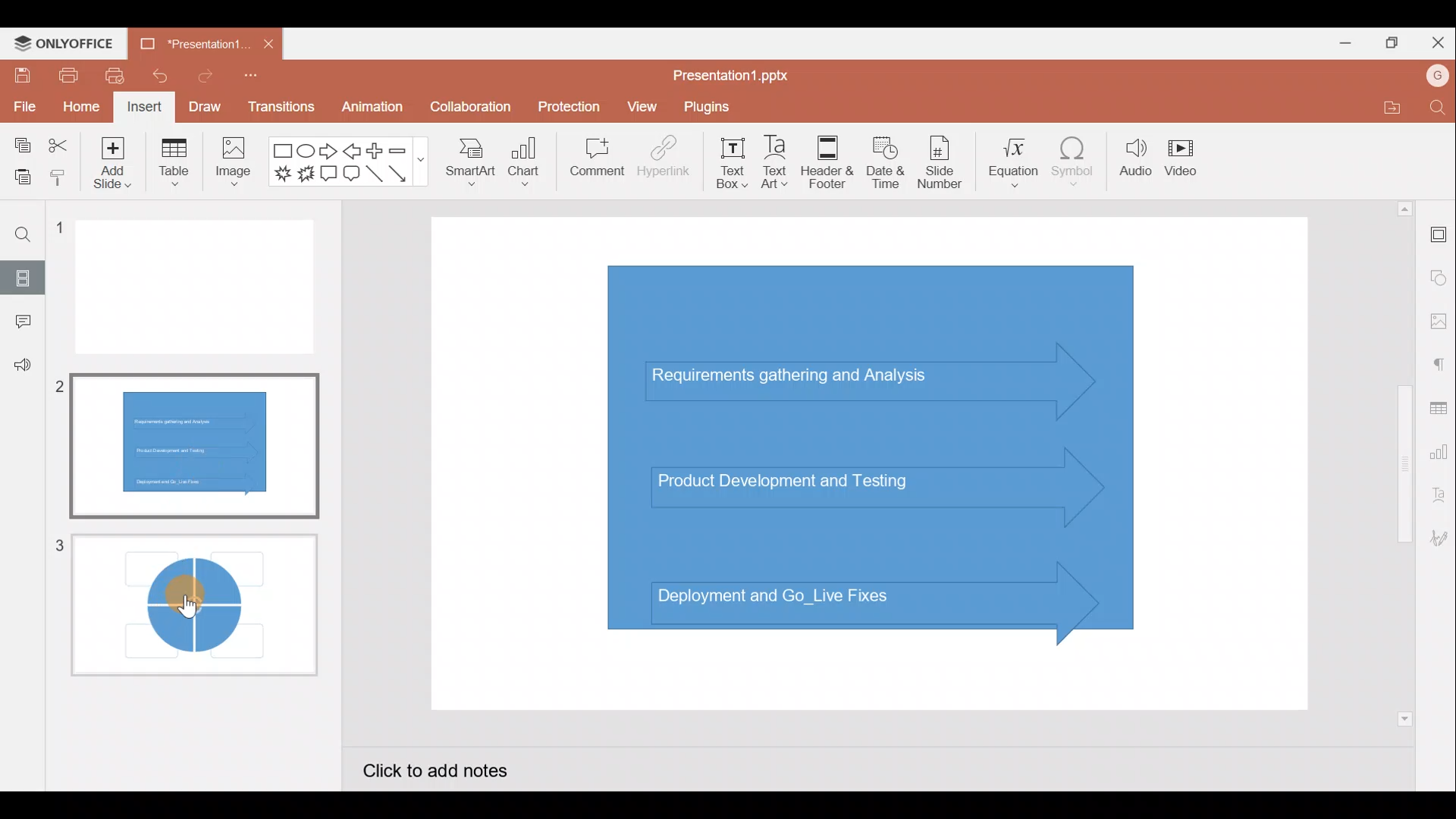 The image size is (1456, 819). What do you see at coordinates (1009, 163) in the screenshot?
I see `Equation` at bounding box center [1009, 163].